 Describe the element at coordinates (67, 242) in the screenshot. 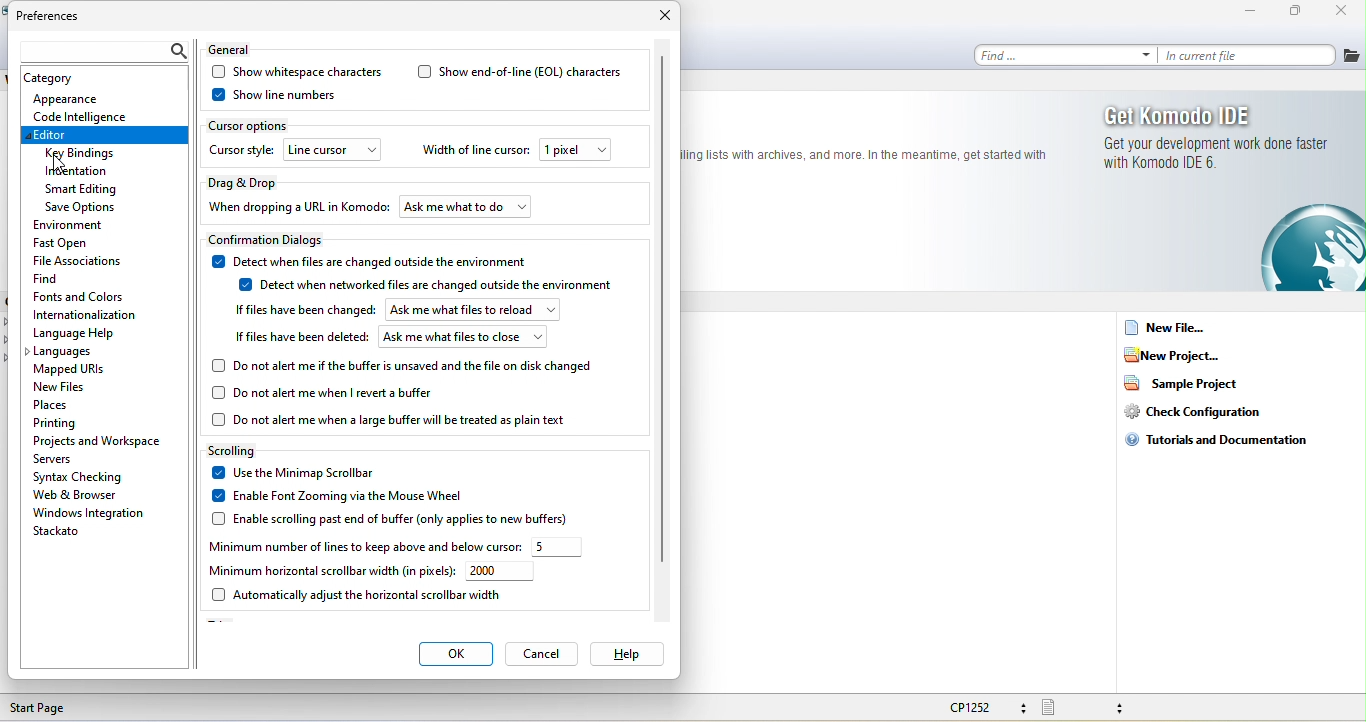

I see `fast open` at that location.